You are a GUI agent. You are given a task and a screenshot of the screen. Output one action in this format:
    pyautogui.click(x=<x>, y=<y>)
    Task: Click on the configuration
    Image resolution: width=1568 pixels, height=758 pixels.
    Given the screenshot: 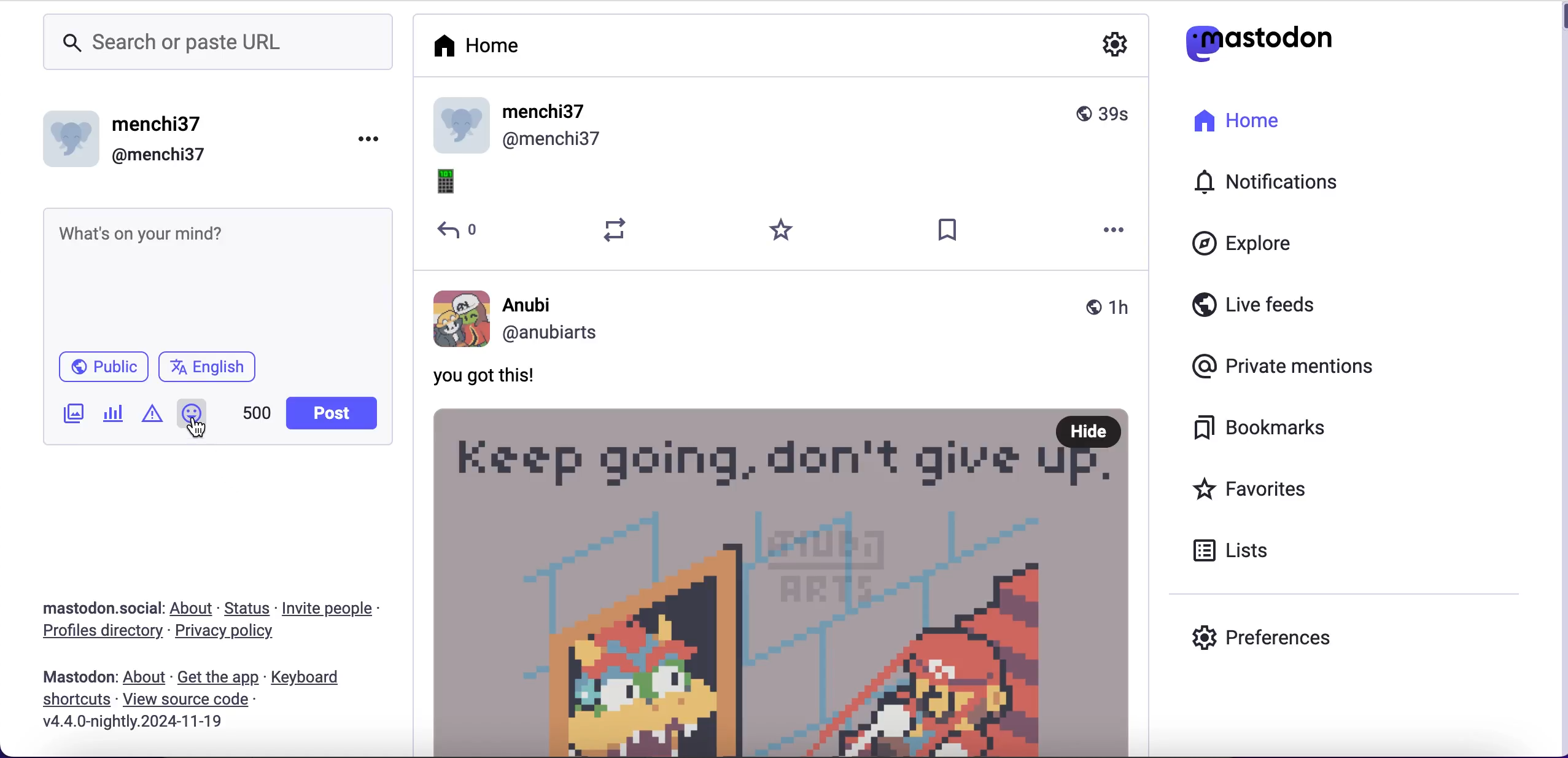 What is the action you would take?
    pyautogui.click(x=1117, y=47)
    